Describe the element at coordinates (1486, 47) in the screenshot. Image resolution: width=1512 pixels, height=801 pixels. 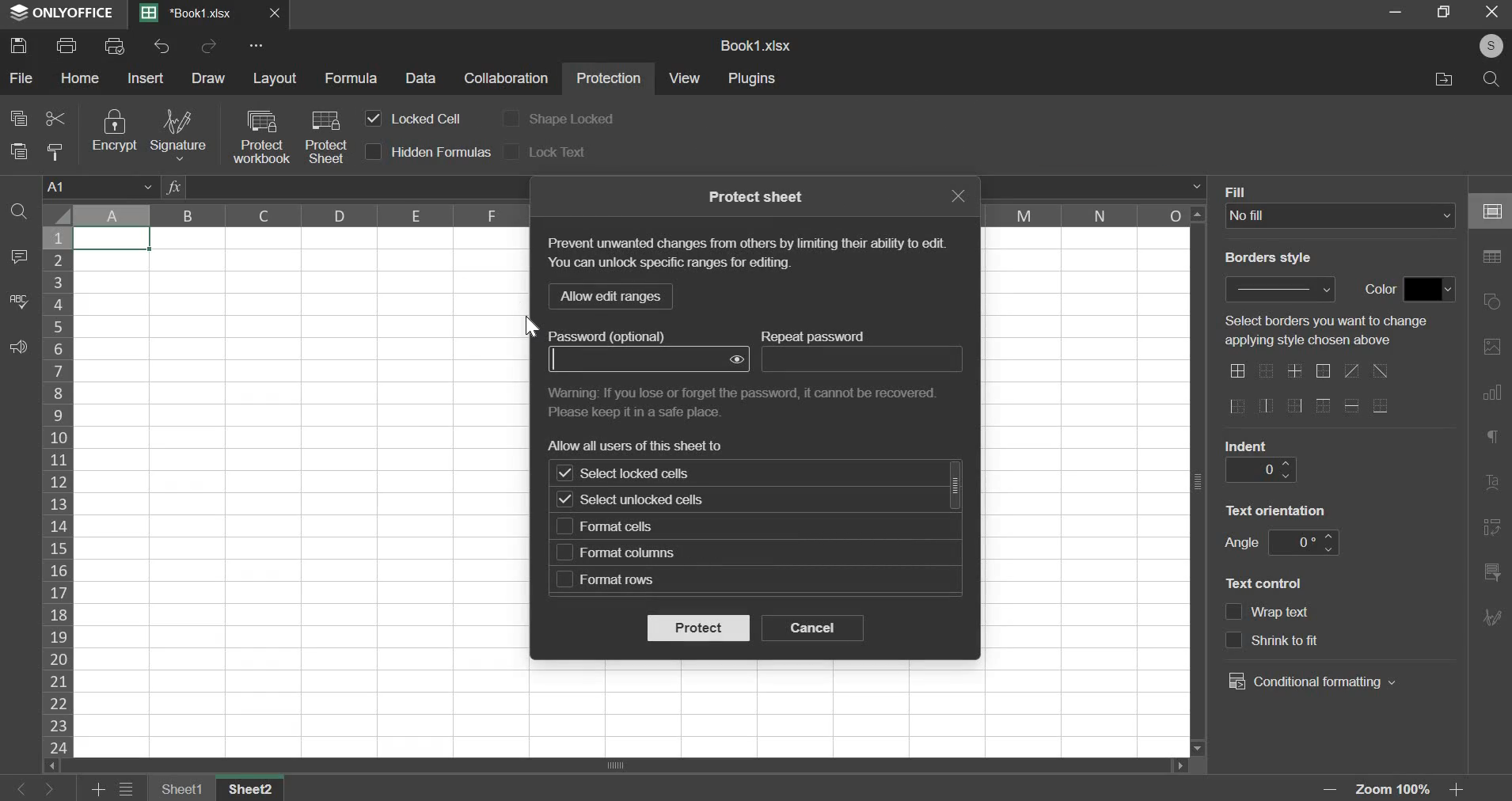
I see `Profile Pic` at that location.